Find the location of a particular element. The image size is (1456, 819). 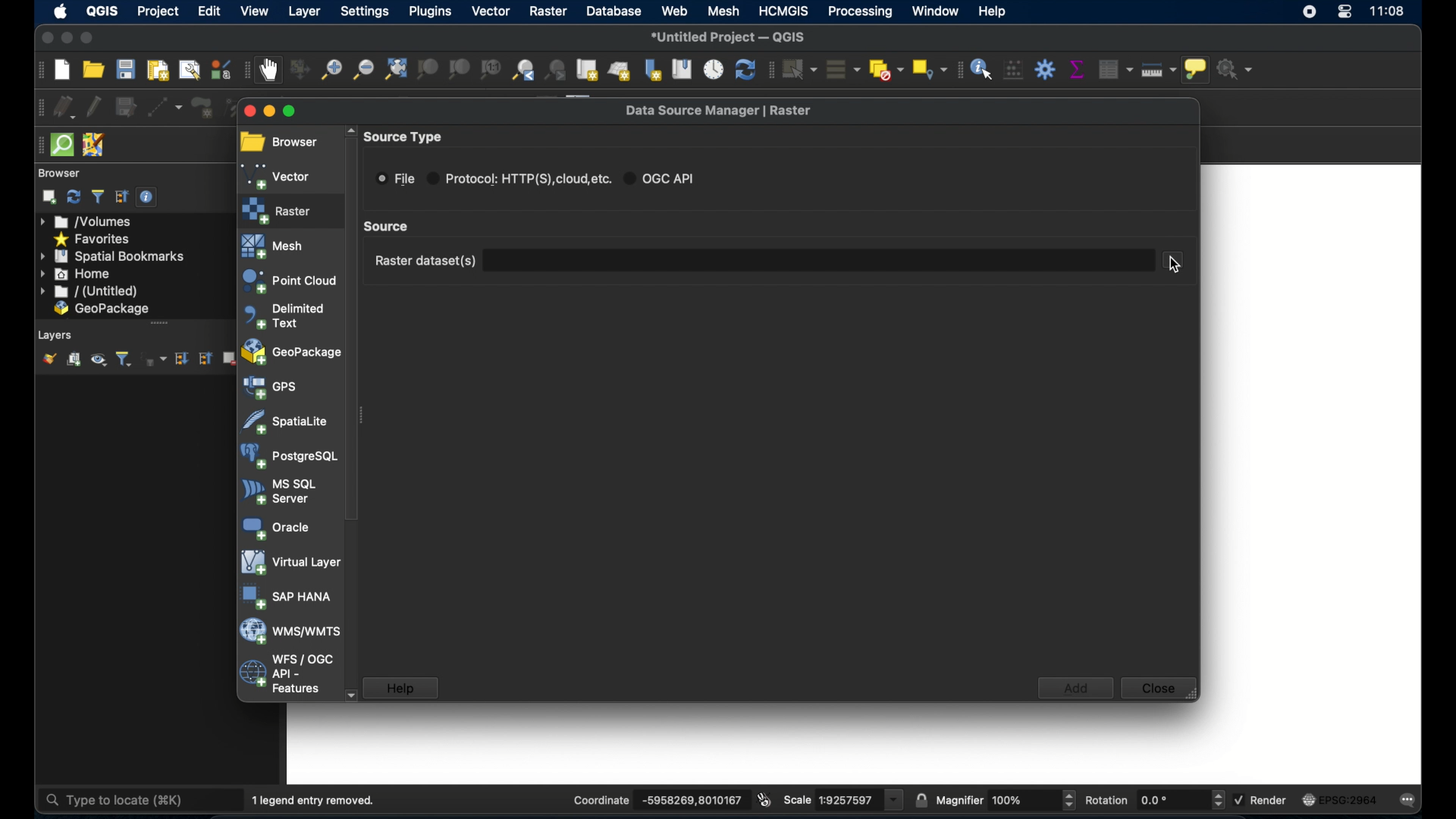

screen recorder is located at coordinates (1311, 14).